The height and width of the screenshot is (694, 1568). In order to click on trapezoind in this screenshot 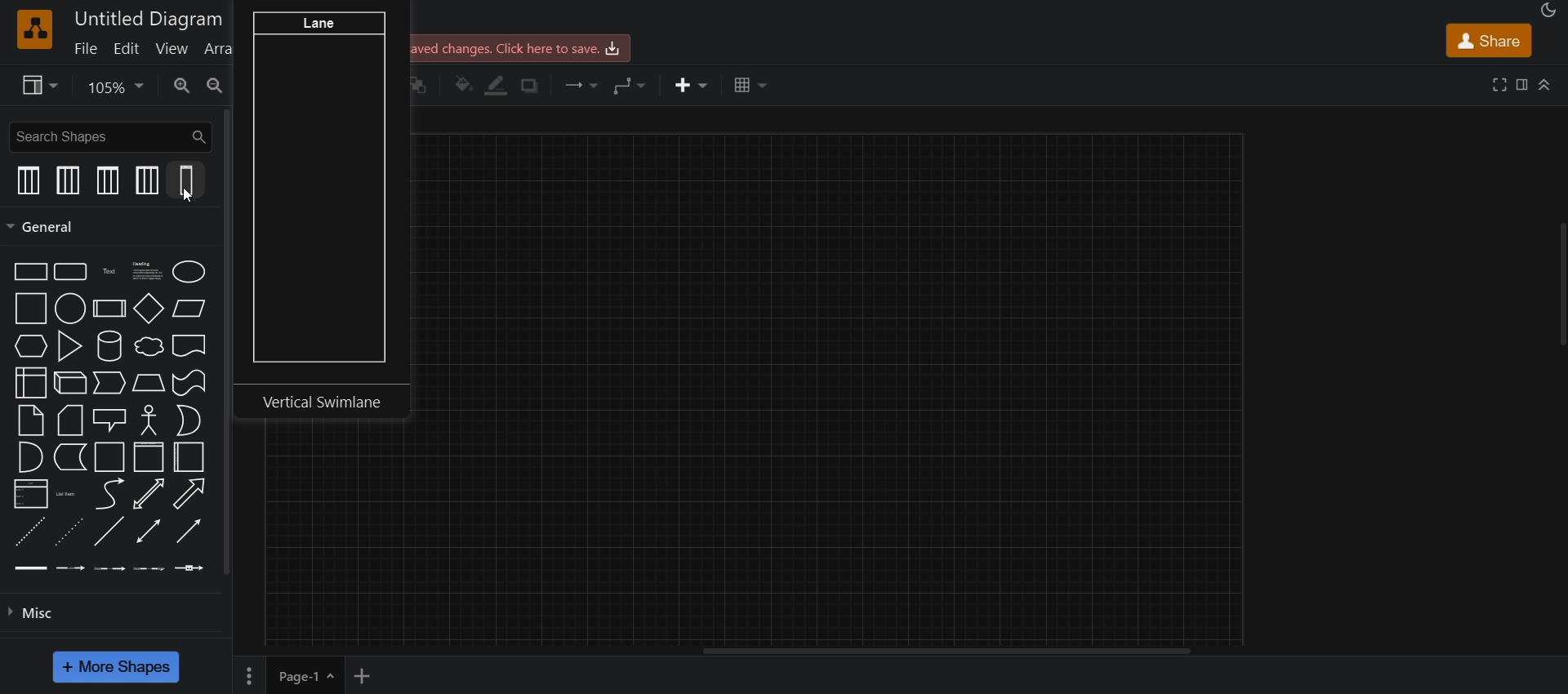, I will do `click(145, 384)`.